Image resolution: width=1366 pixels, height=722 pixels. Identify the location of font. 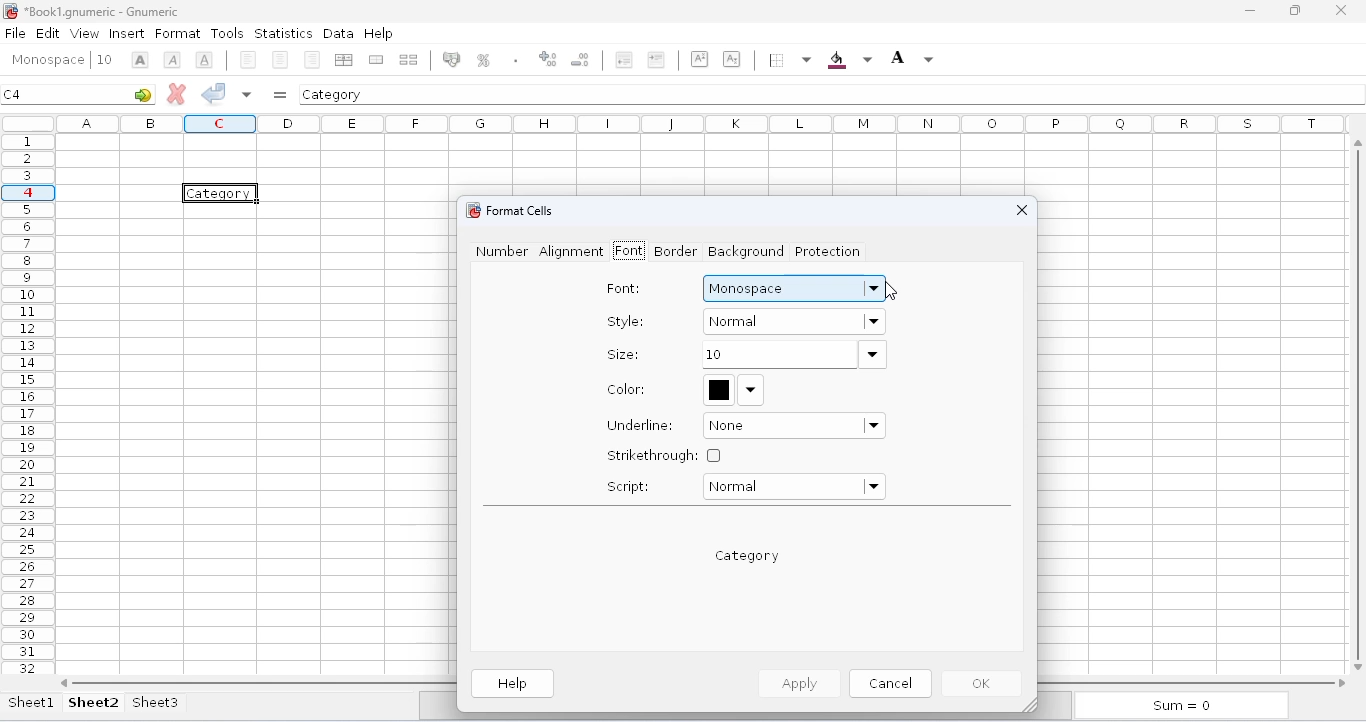
(628, 251).